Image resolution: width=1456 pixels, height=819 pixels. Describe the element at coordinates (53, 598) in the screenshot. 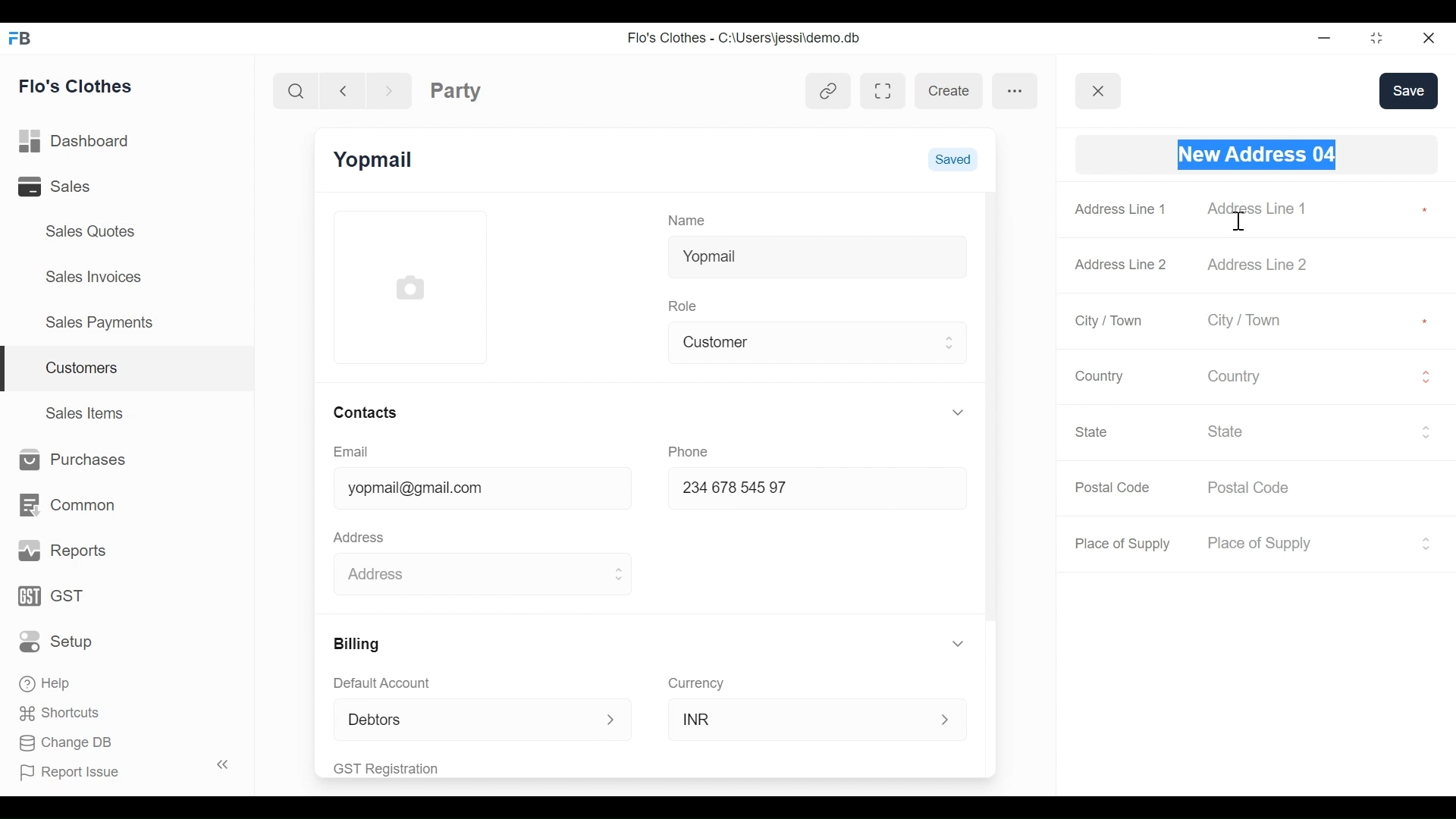

I see `GST` at that location.